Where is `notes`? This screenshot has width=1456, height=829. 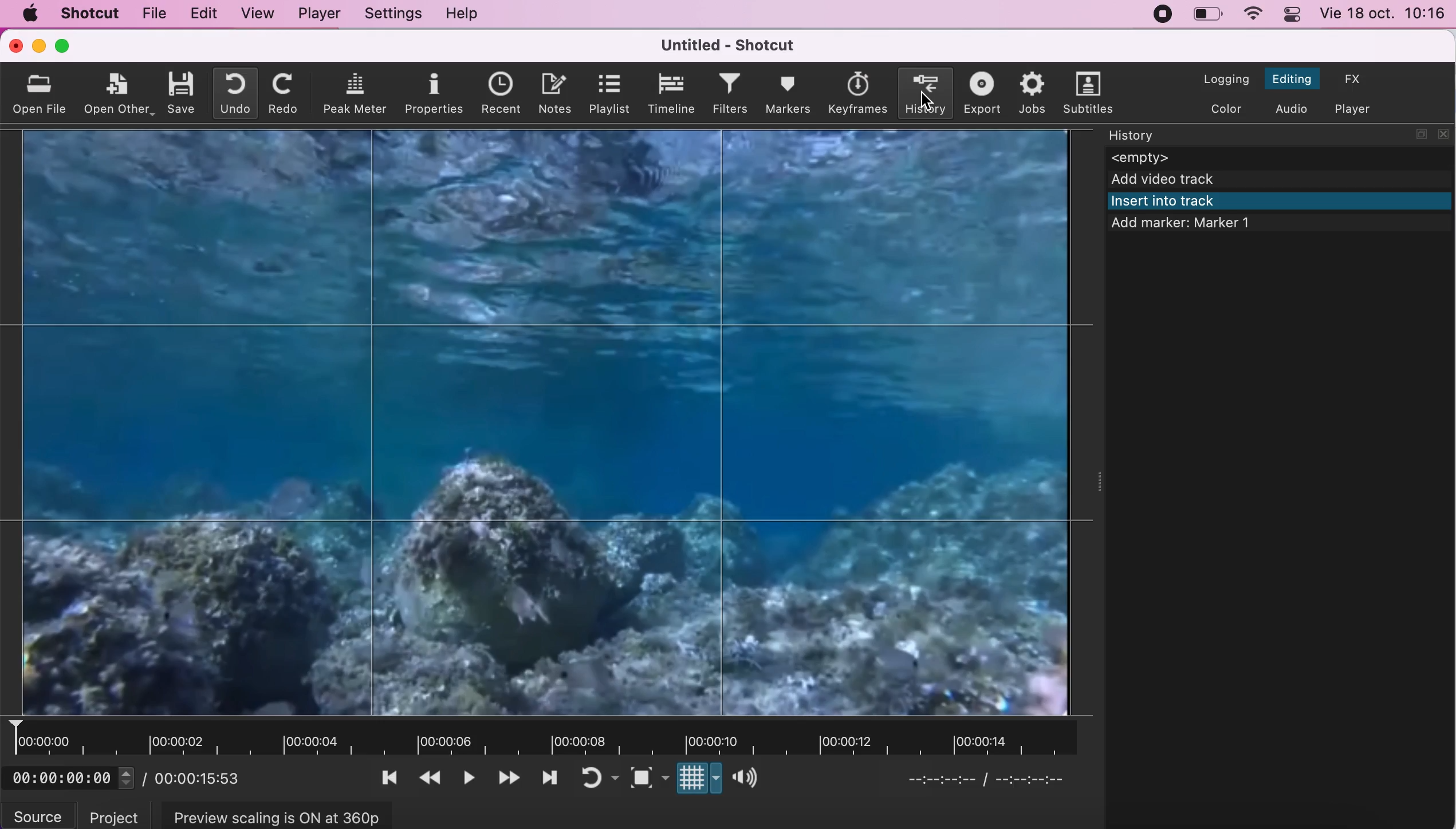
notes is located at coordinates (552, 92).